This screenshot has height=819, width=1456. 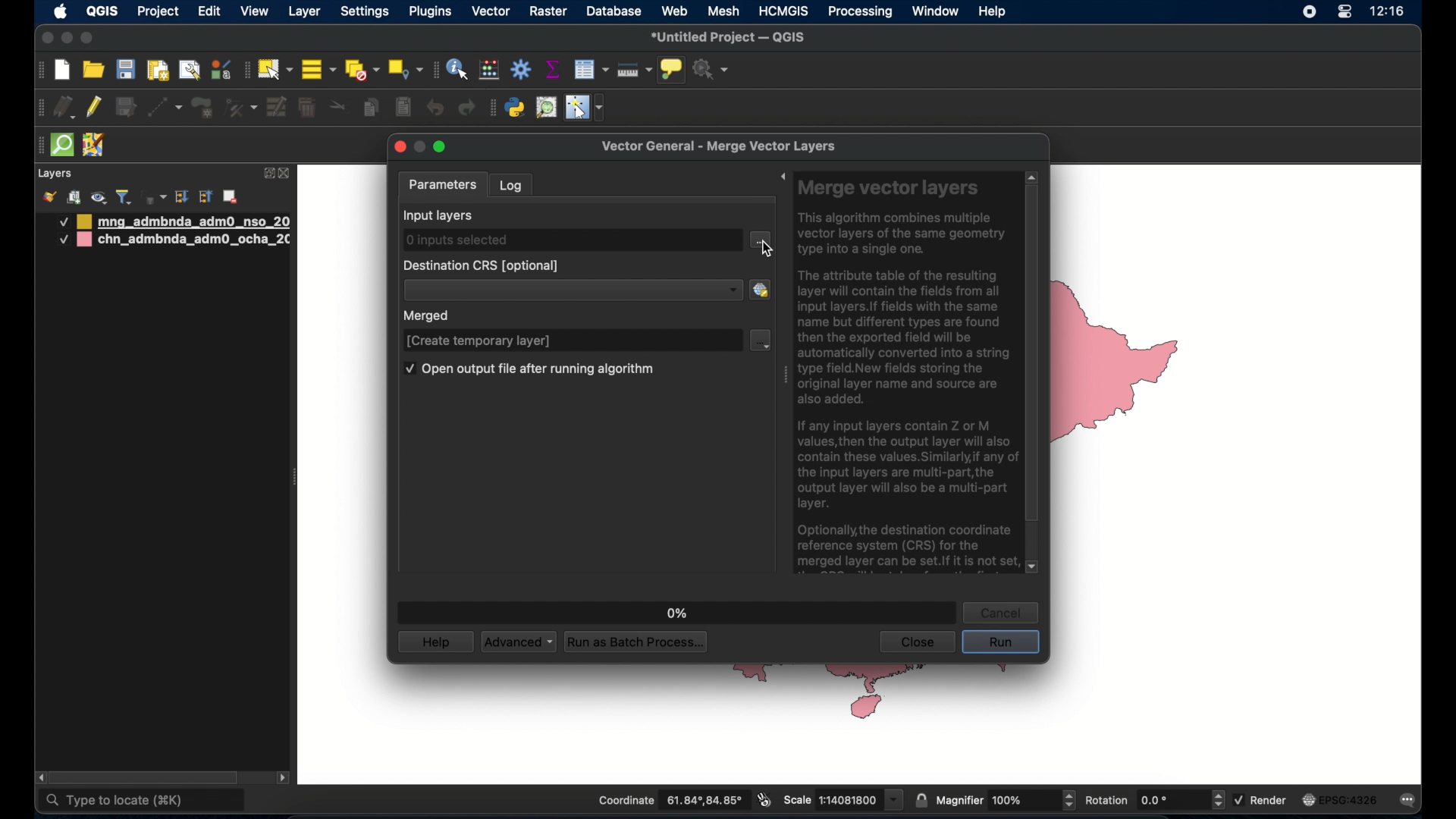 I want to click on filter legend by expression, so click(x=152, y=196).